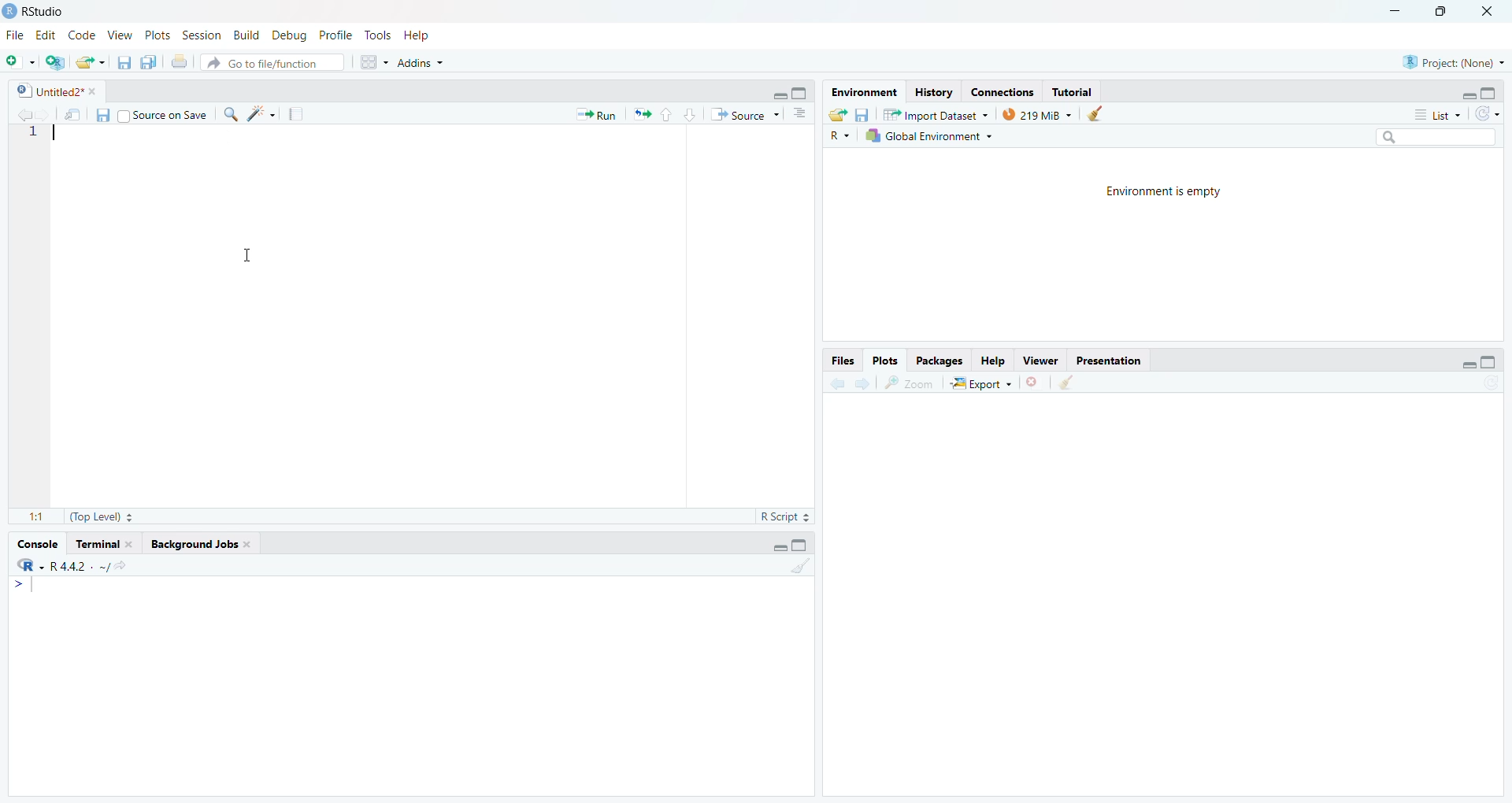  Describe the element at coordinates (20, 62) in the screenshot. I see `Open new file` at that location.